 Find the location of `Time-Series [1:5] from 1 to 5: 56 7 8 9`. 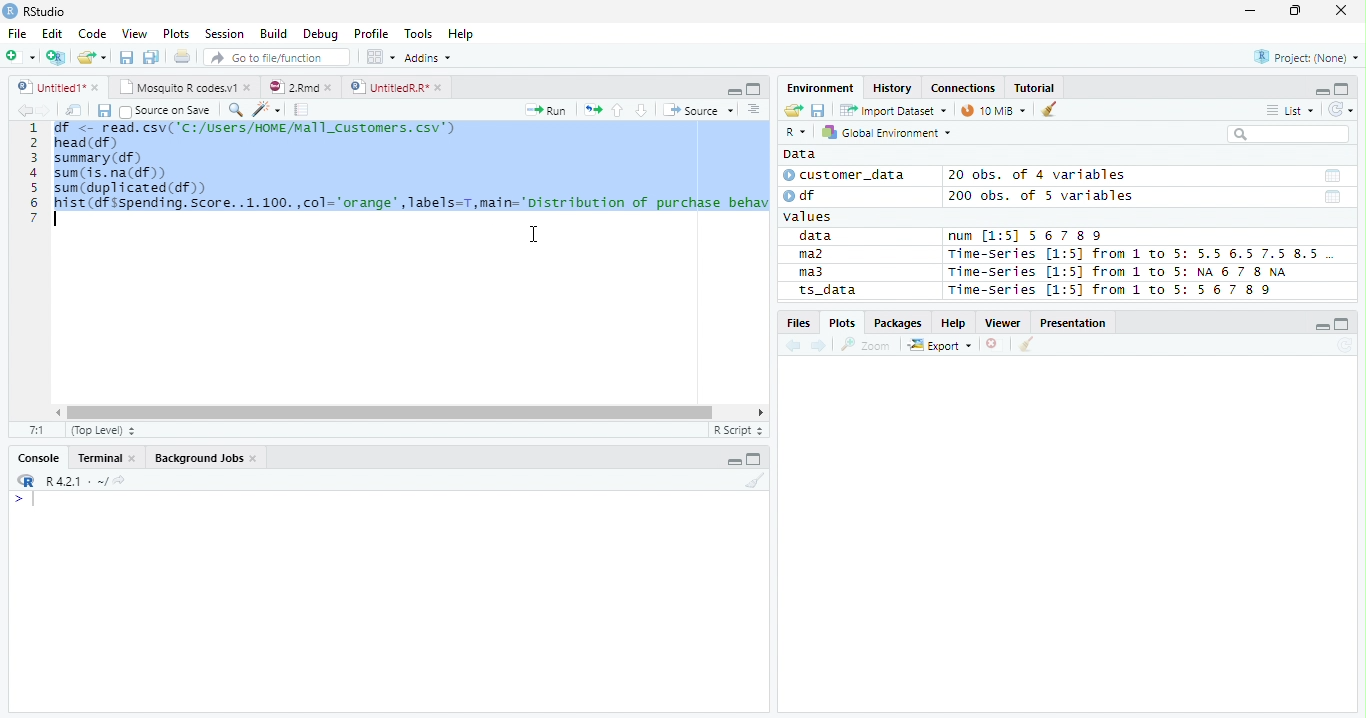

Time-Series [1:5] from 1 to 5: 56 7 8 9 is located at coordinates (1112, 290).